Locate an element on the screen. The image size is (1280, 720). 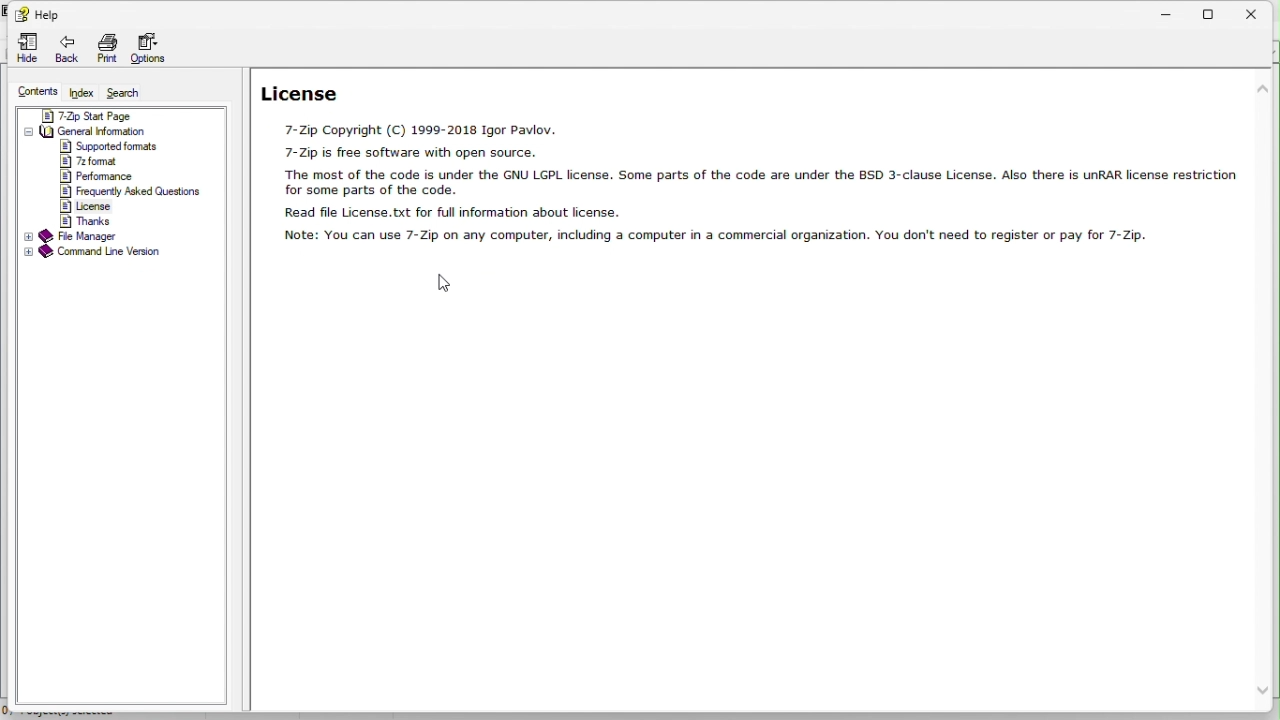
7 zip format is located at coordinates (88, 161).